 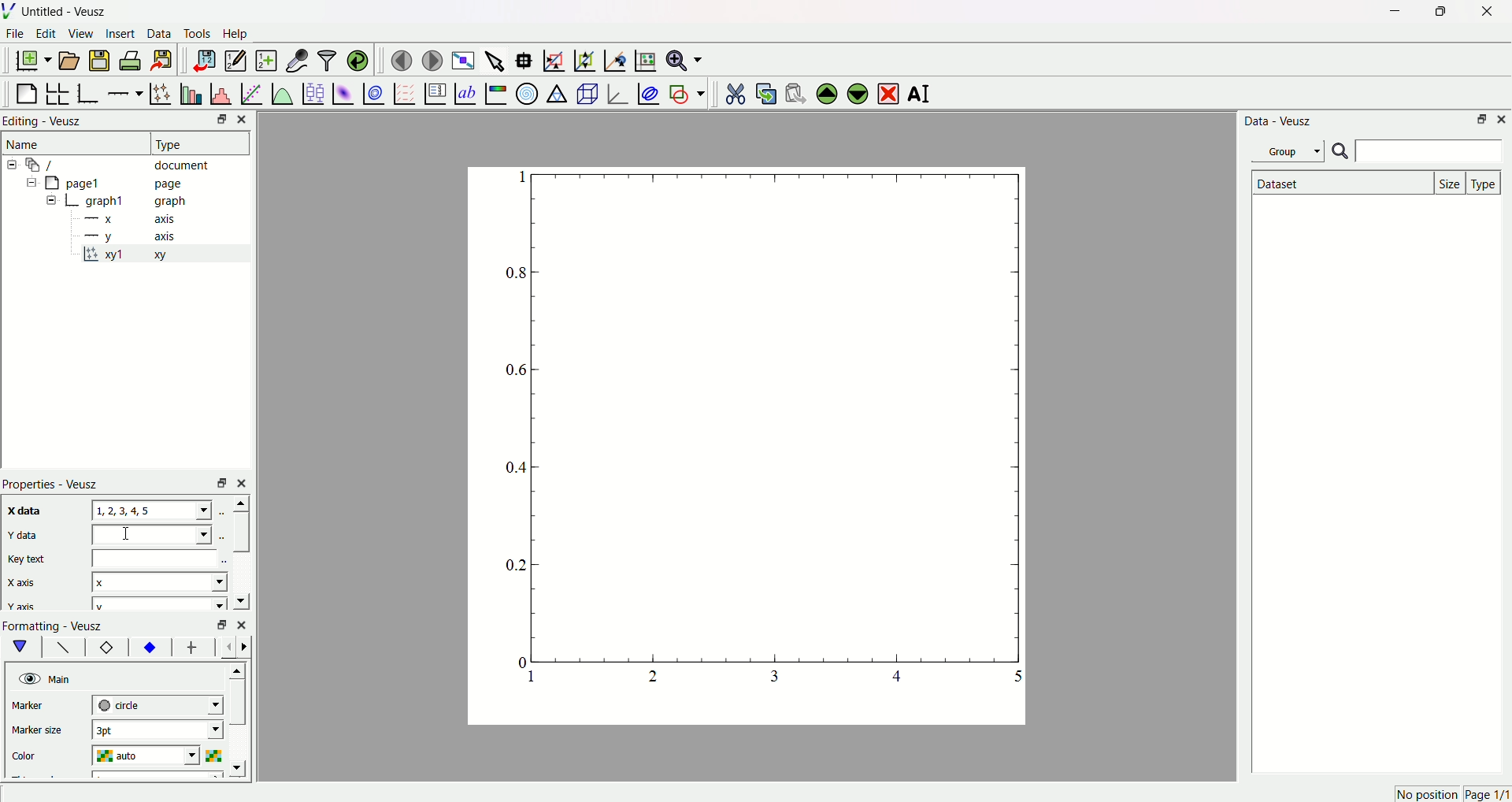 I want to click on new document, so click(x=35, y=61).